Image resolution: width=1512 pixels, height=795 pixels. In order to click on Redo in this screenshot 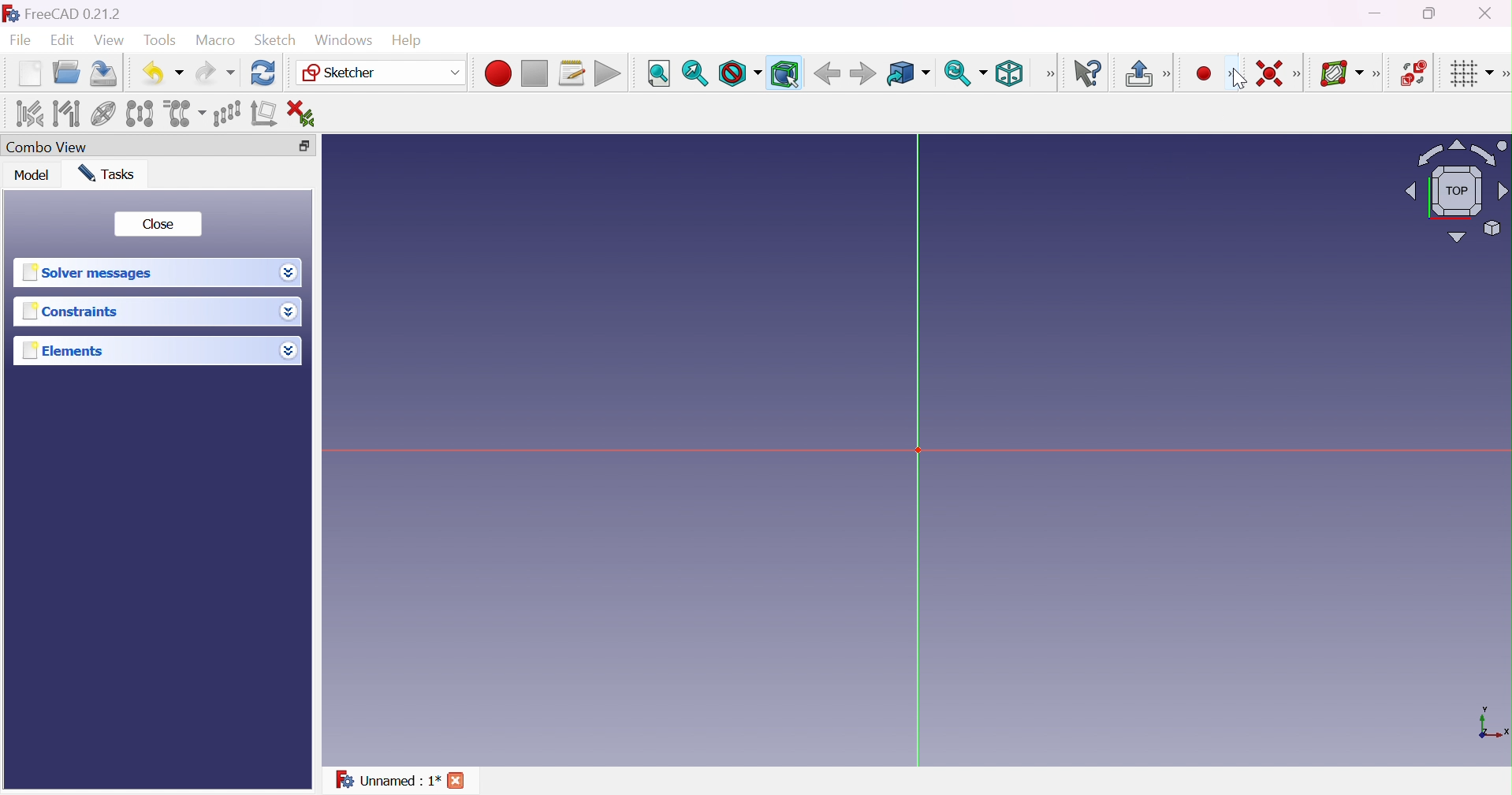, I will do `click(214, 73)`.